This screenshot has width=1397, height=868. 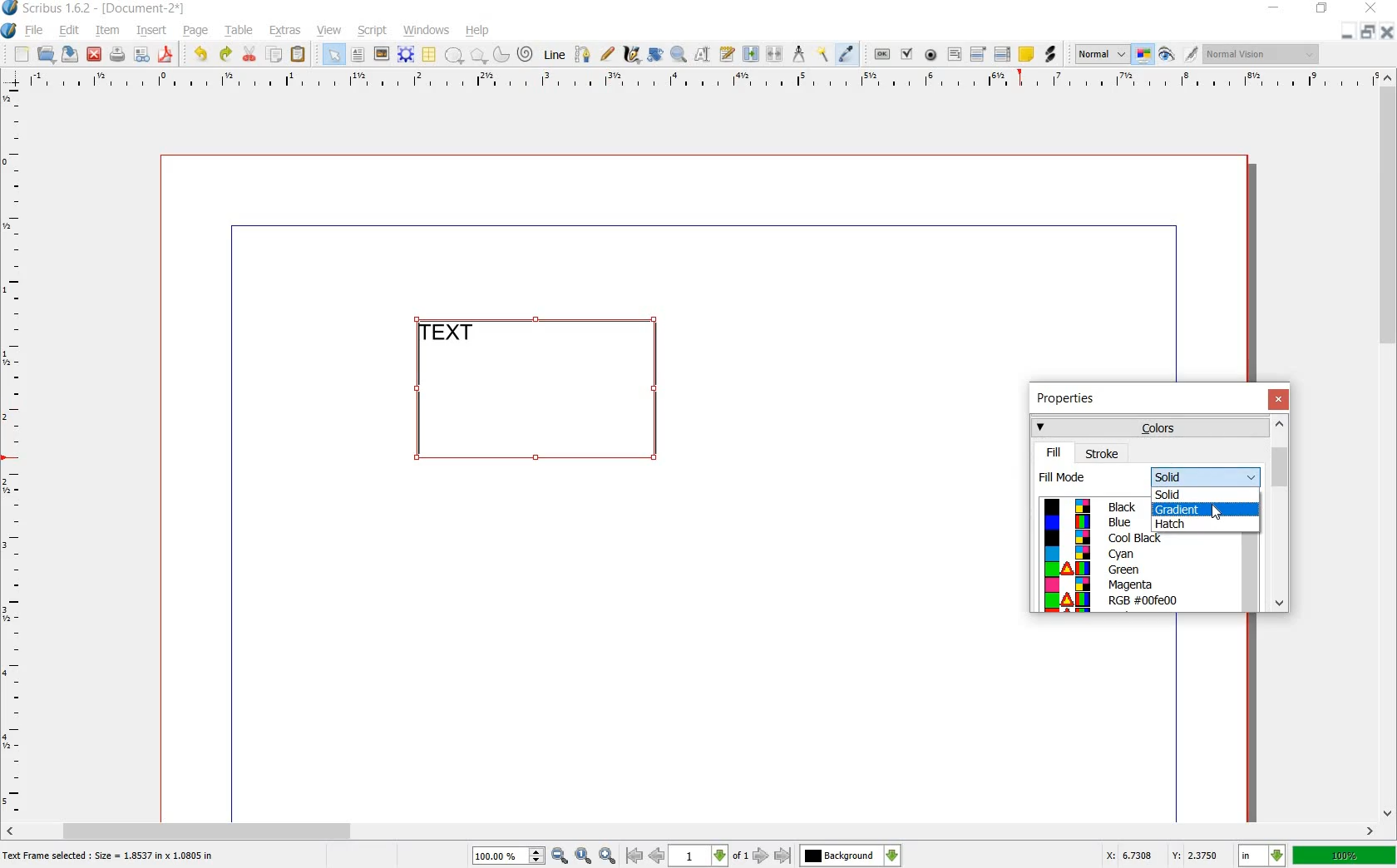 I want to click on page, so click(x=196, y=32).